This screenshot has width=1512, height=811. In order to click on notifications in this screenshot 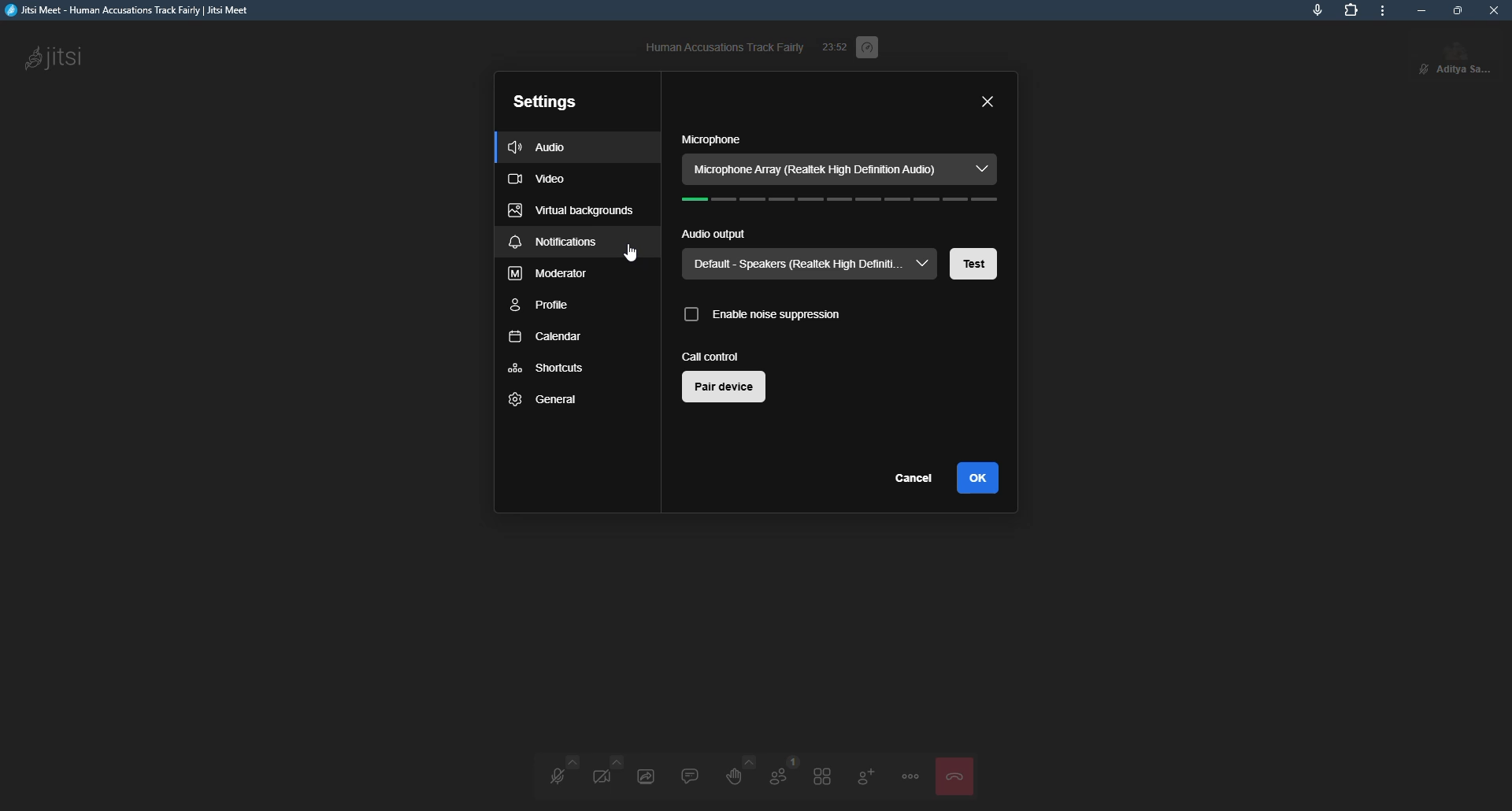, I will do `click(551, 242)`.